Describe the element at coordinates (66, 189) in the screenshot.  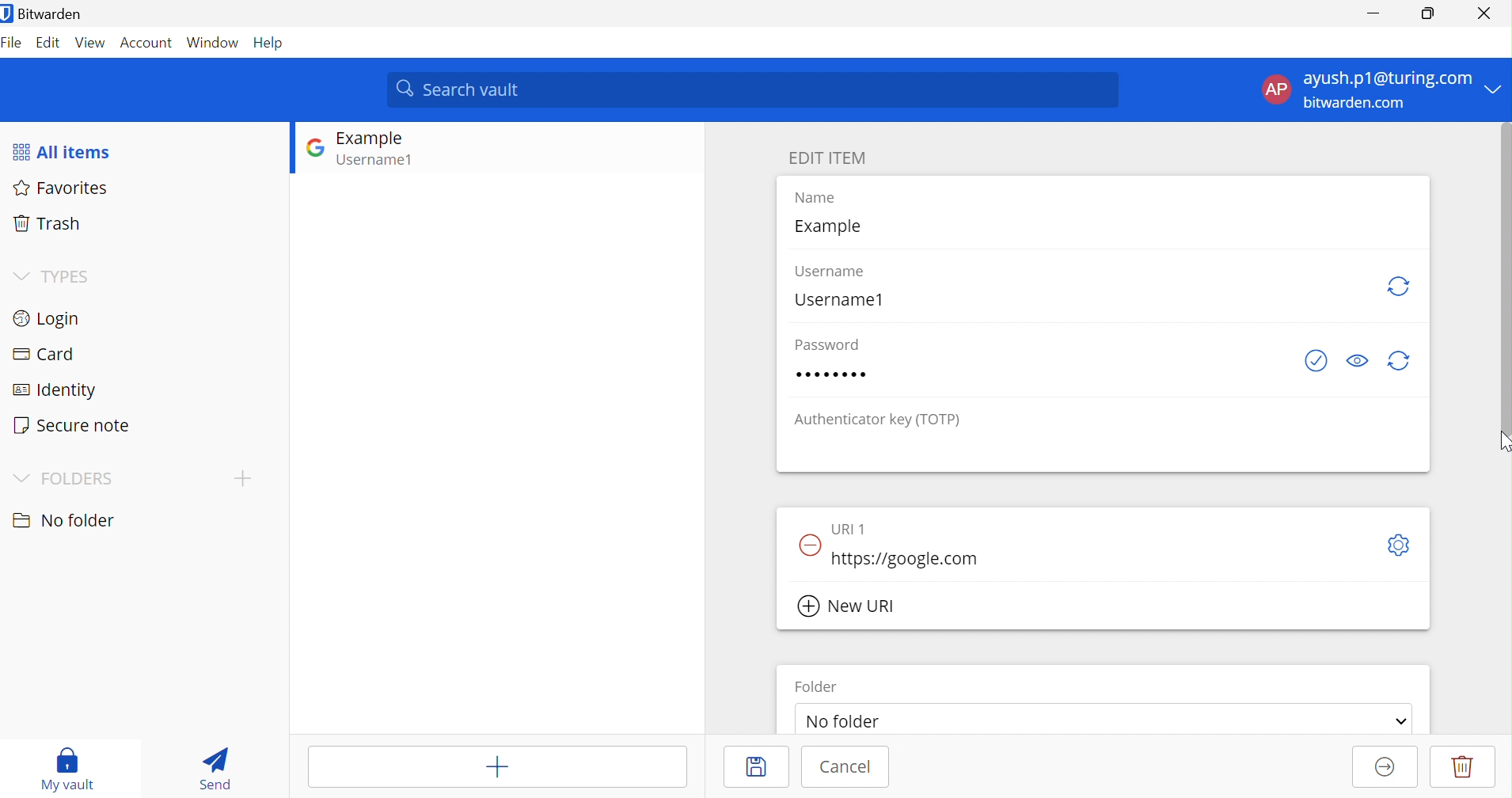
I see `Favorites` at that location.